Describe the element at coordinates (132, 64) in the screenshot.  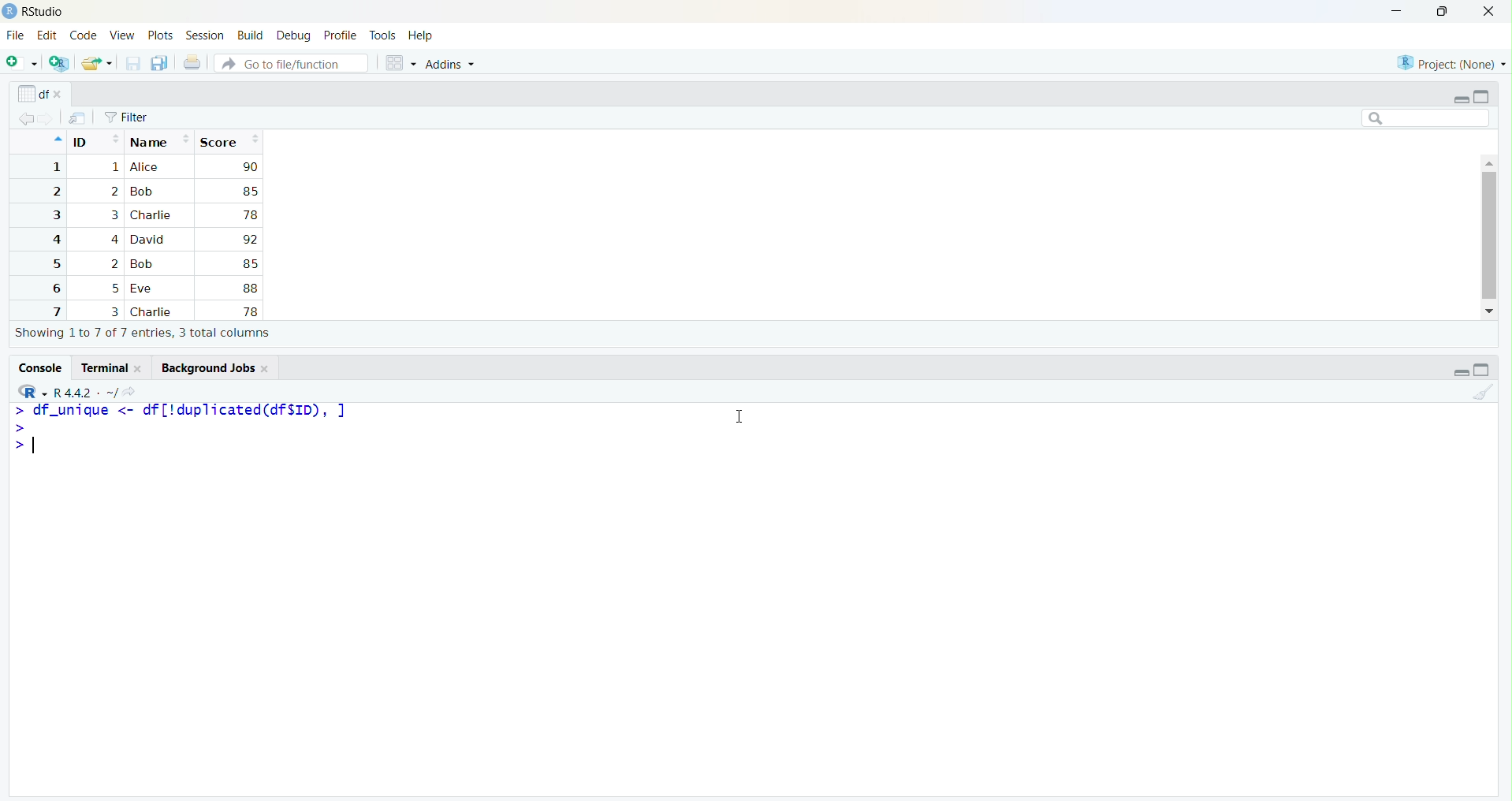
I see `save` at that location.